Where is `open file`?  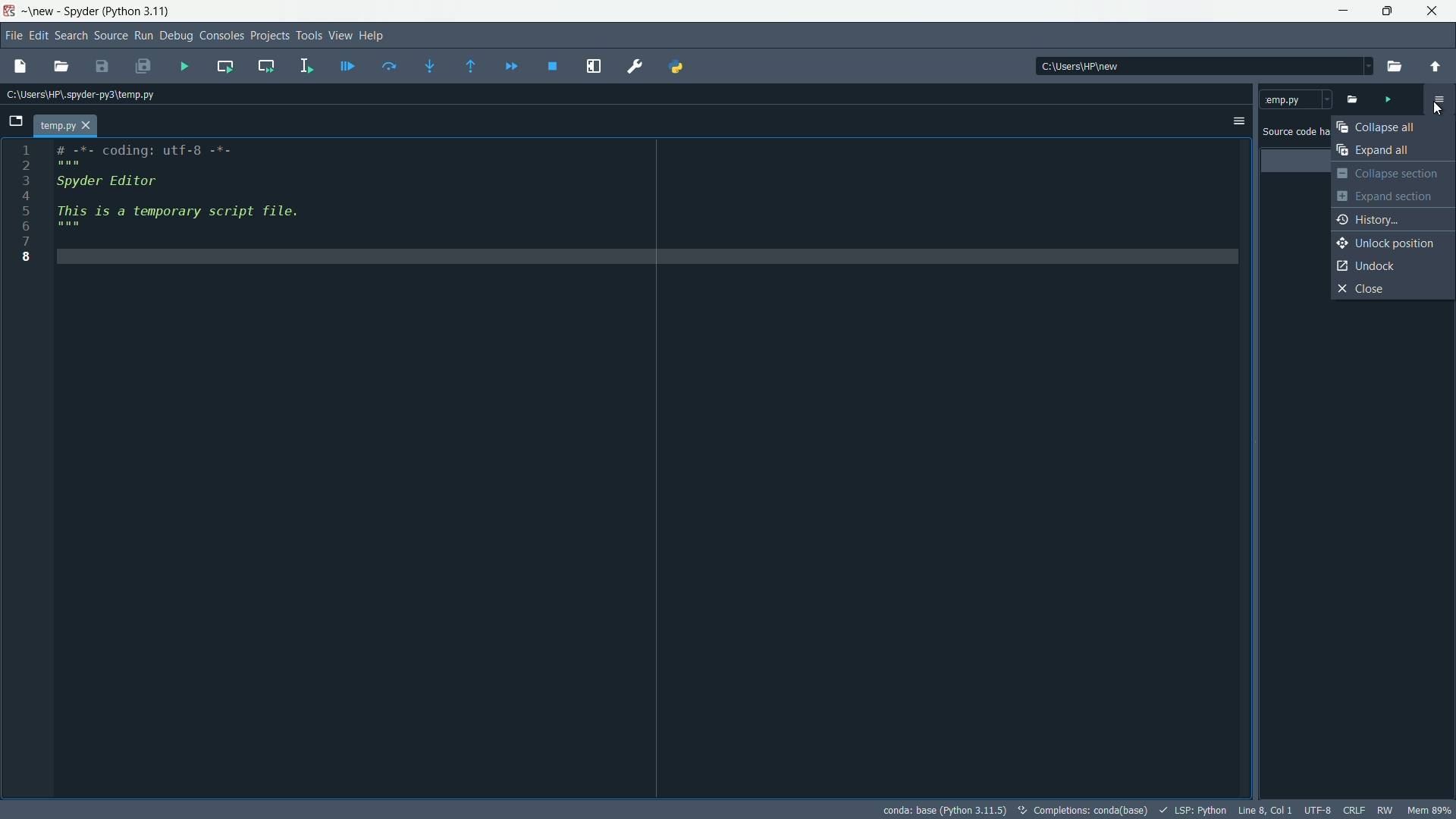 open file is located at coordinates (61, 67).